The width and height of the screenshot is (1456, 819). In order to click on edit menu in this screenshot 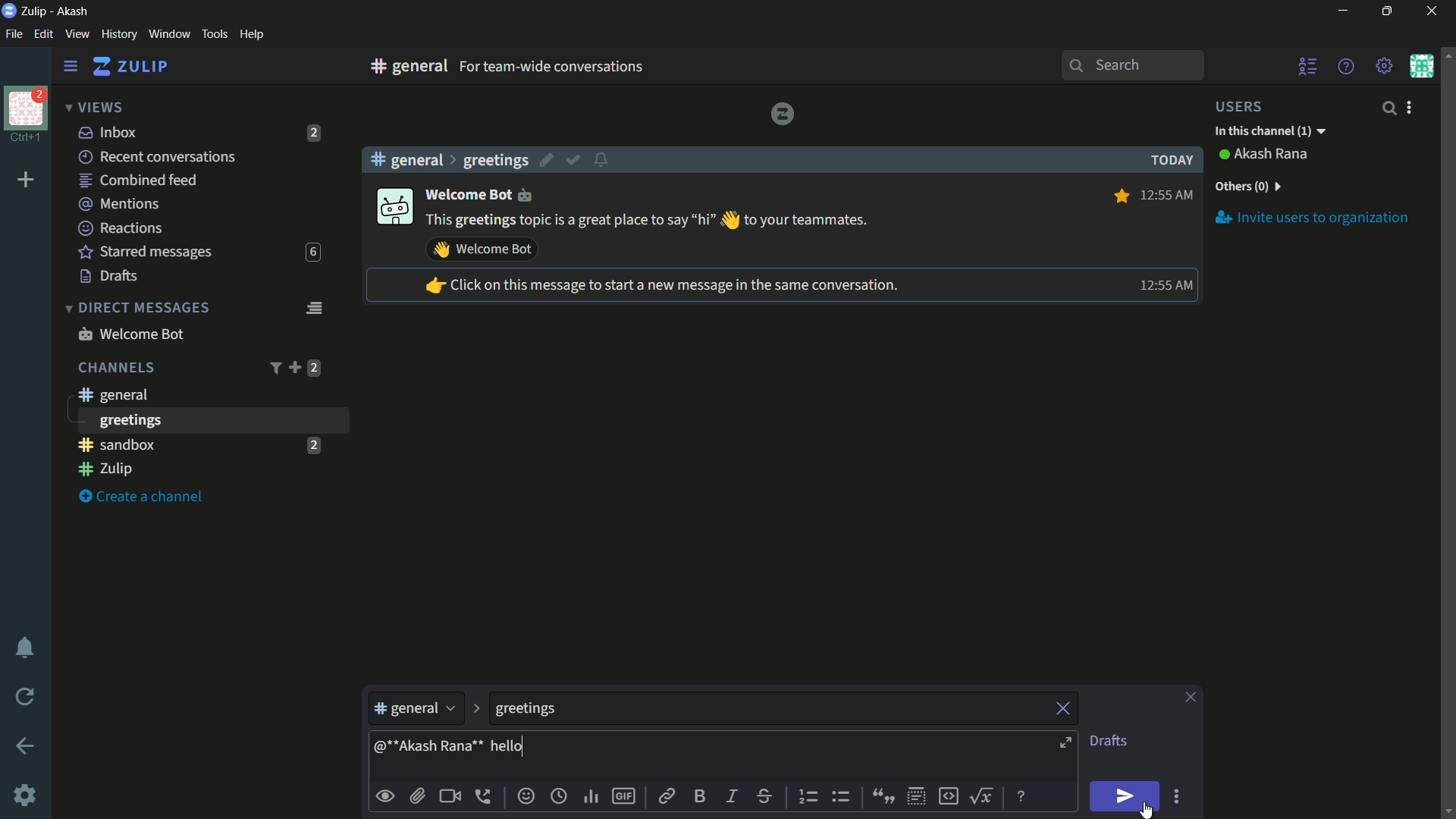, I will do `click(43, 34)`.